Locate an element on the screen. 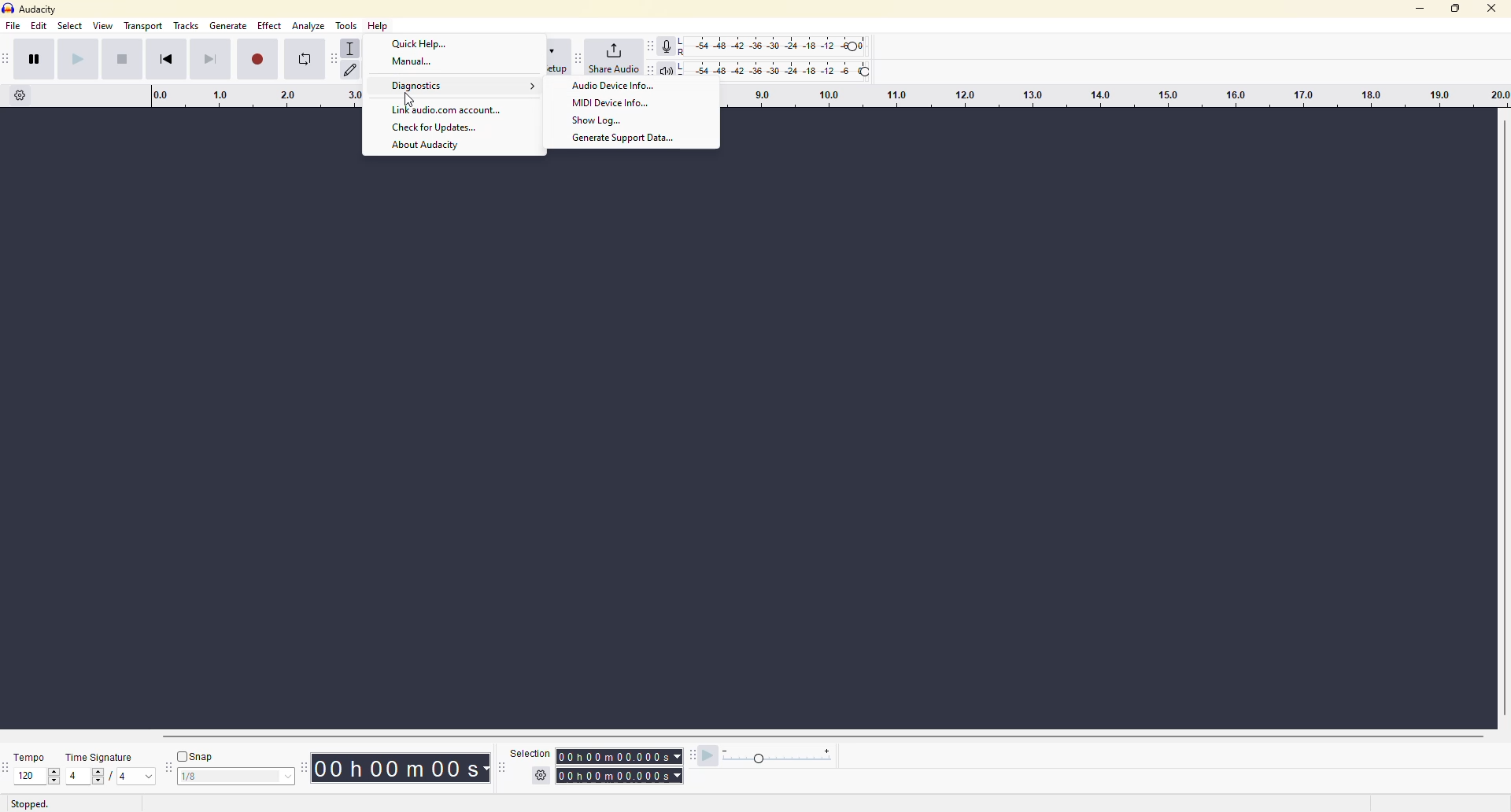 The width and height of the screenshot is (1511, 812). 00h 00m 00s is located at coordinates (398, 767).